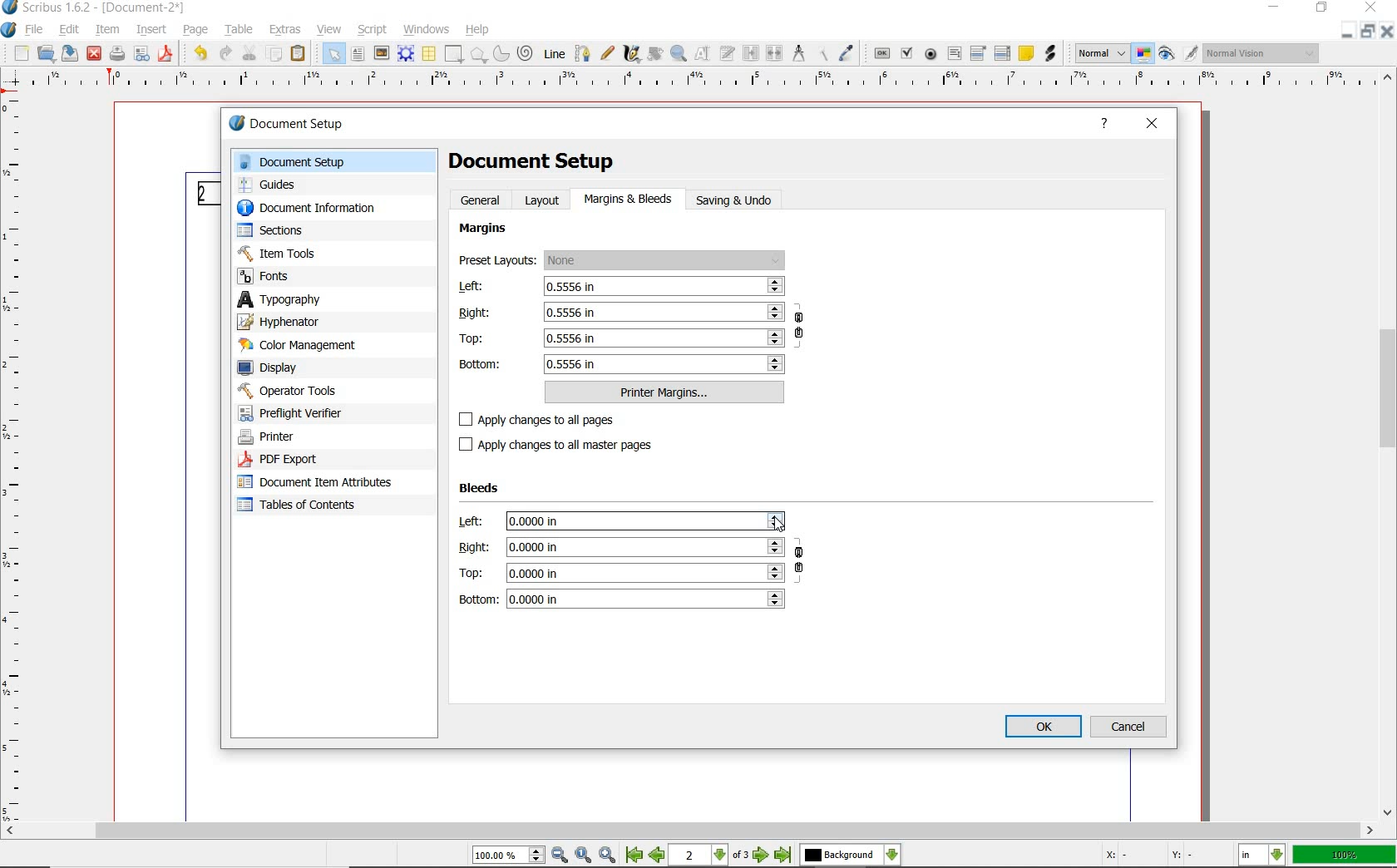 Image resolution: width=1397 pixels, height=868 pixels. What do you see at coordinates (298, 56) in the screenshot?
I see `paste` at bounding box center [298, 56].